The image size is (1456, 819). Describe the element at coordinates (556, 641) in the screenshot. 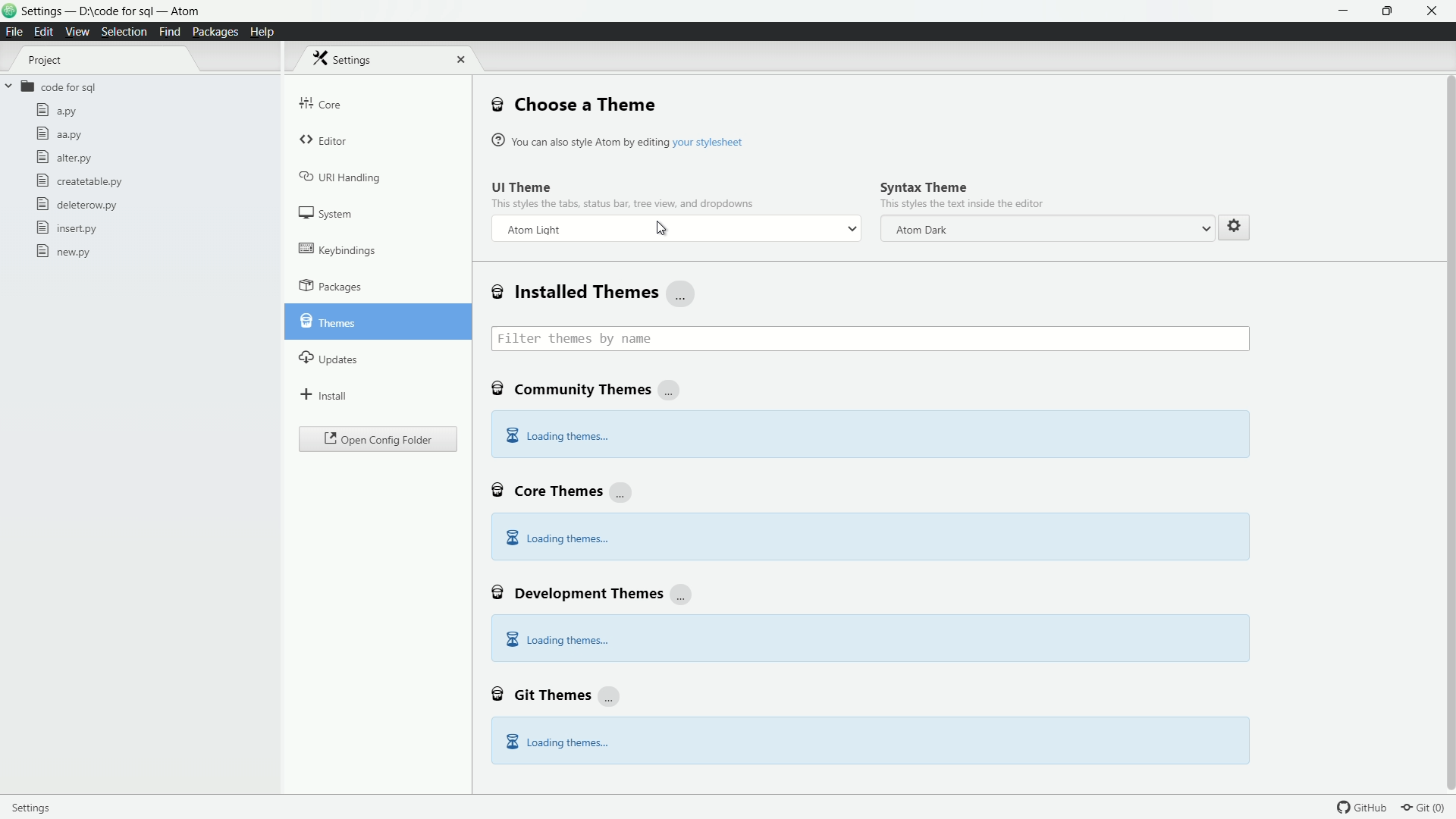

I see `loading themes` at that location.